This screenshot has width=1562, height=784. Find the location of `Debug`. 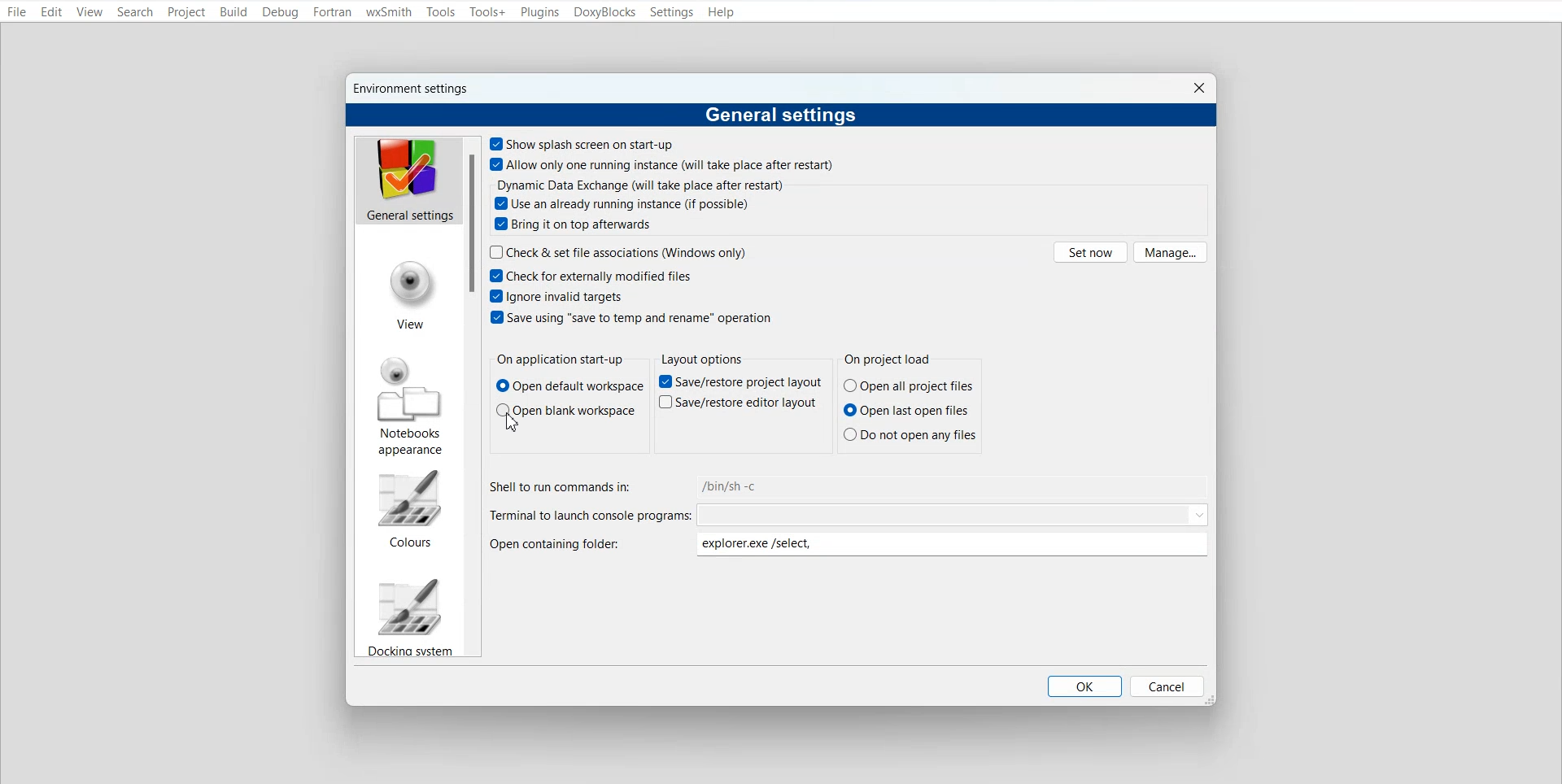

Debug is located at coordinates (280, 12).